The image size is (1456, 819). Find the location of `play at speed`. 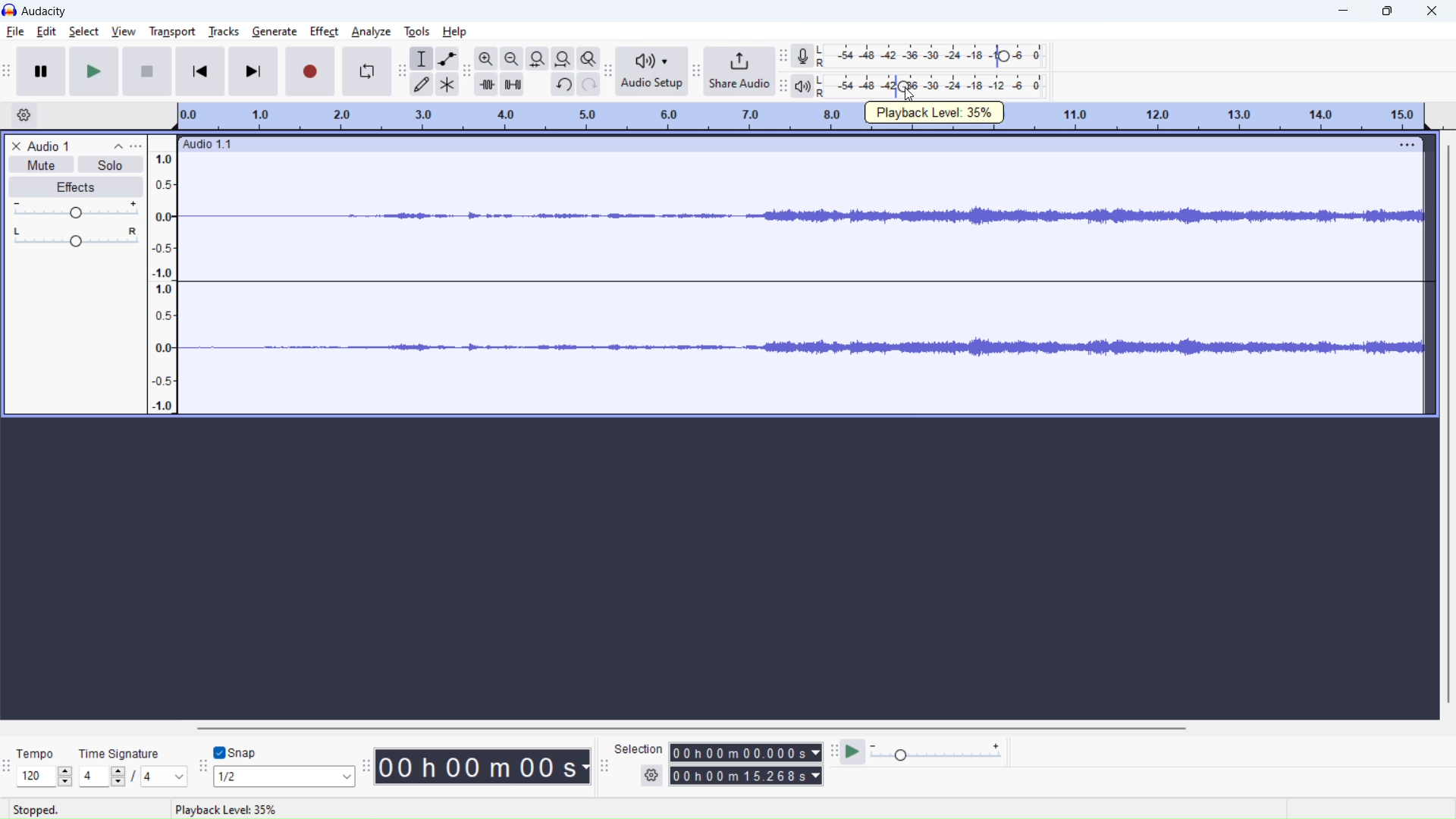

play at speed is located at coordinates (853, 752).